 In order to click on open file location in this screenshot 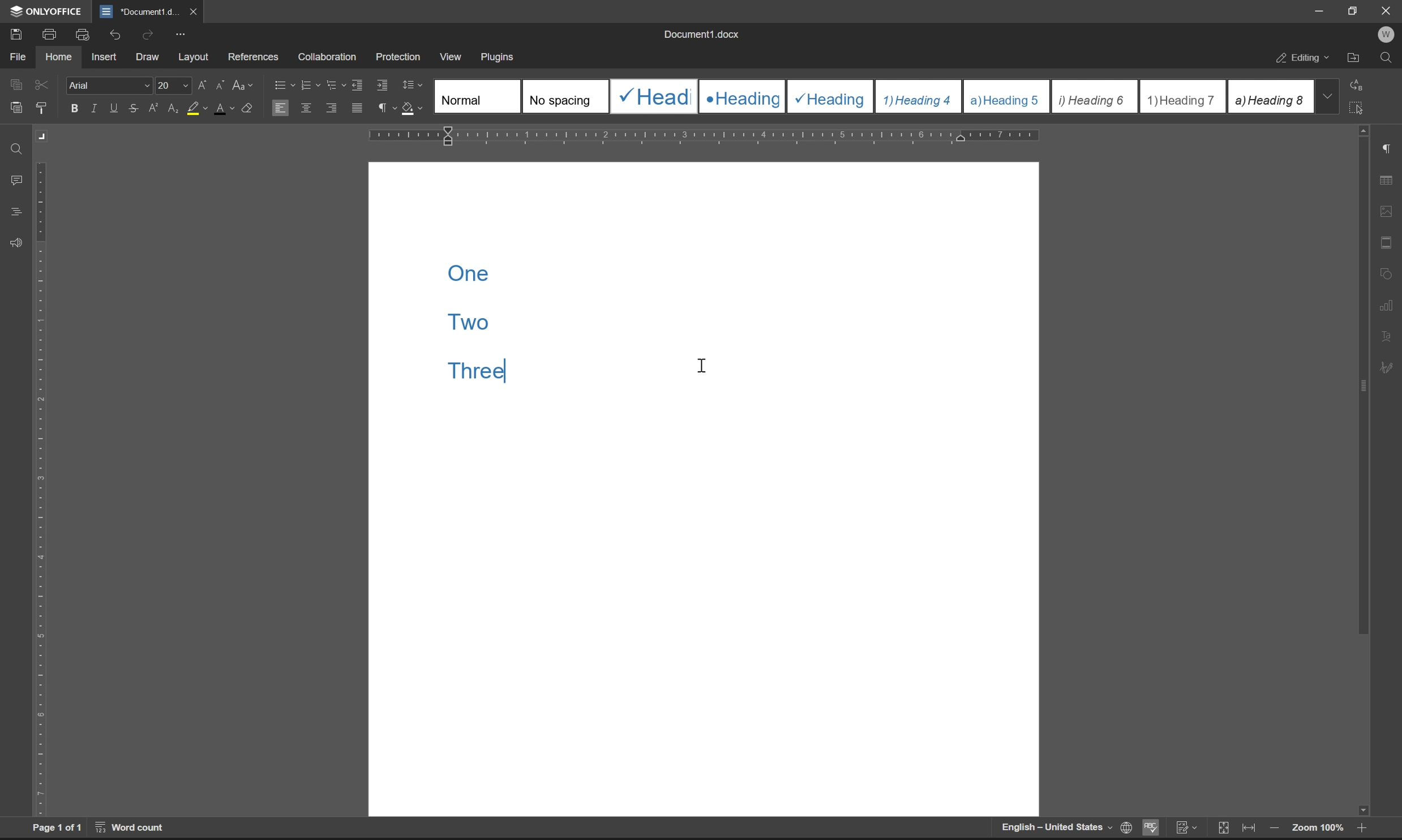, I will do `click(1354, 59)`.